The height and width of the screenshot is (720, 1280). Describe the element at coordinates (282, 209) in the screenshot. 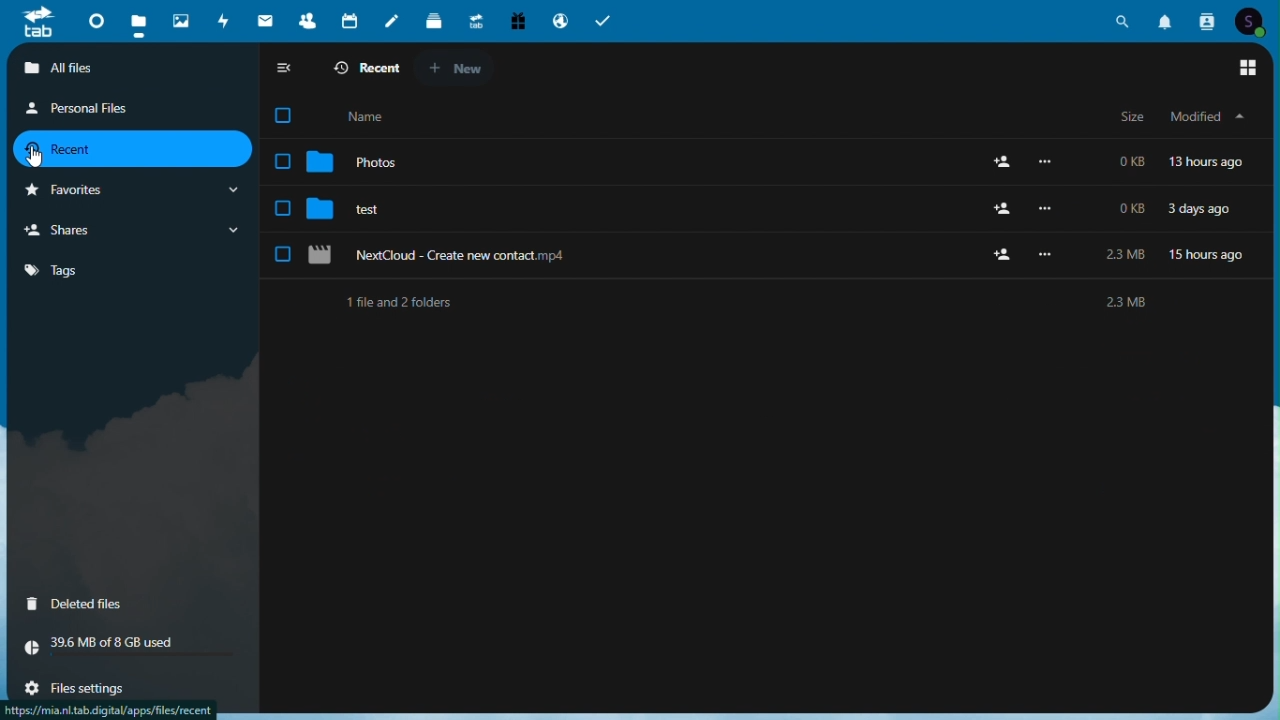

I see `checkbox` at that location.